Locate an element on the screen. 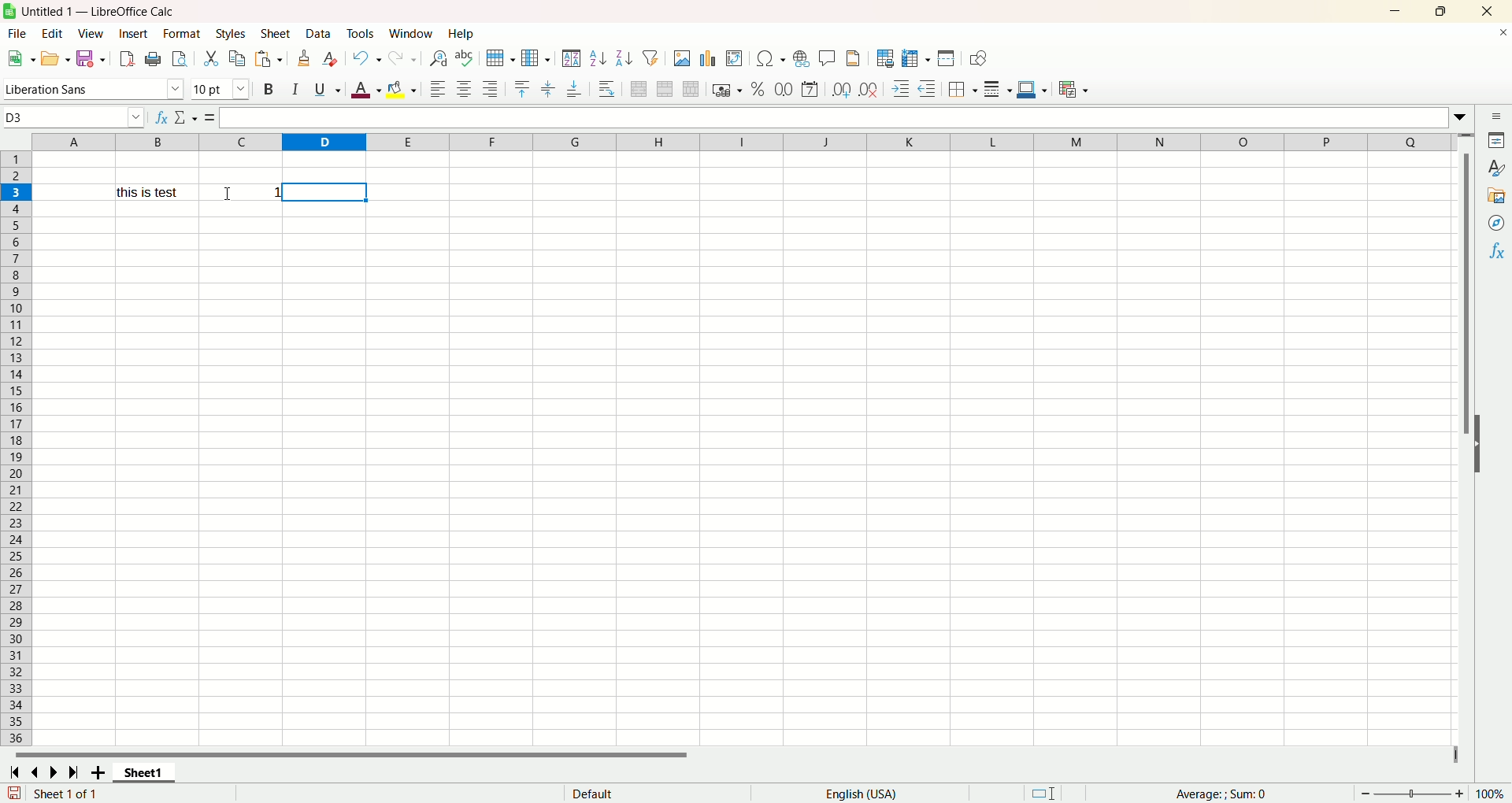  accept is located at coordinates (204, 119).